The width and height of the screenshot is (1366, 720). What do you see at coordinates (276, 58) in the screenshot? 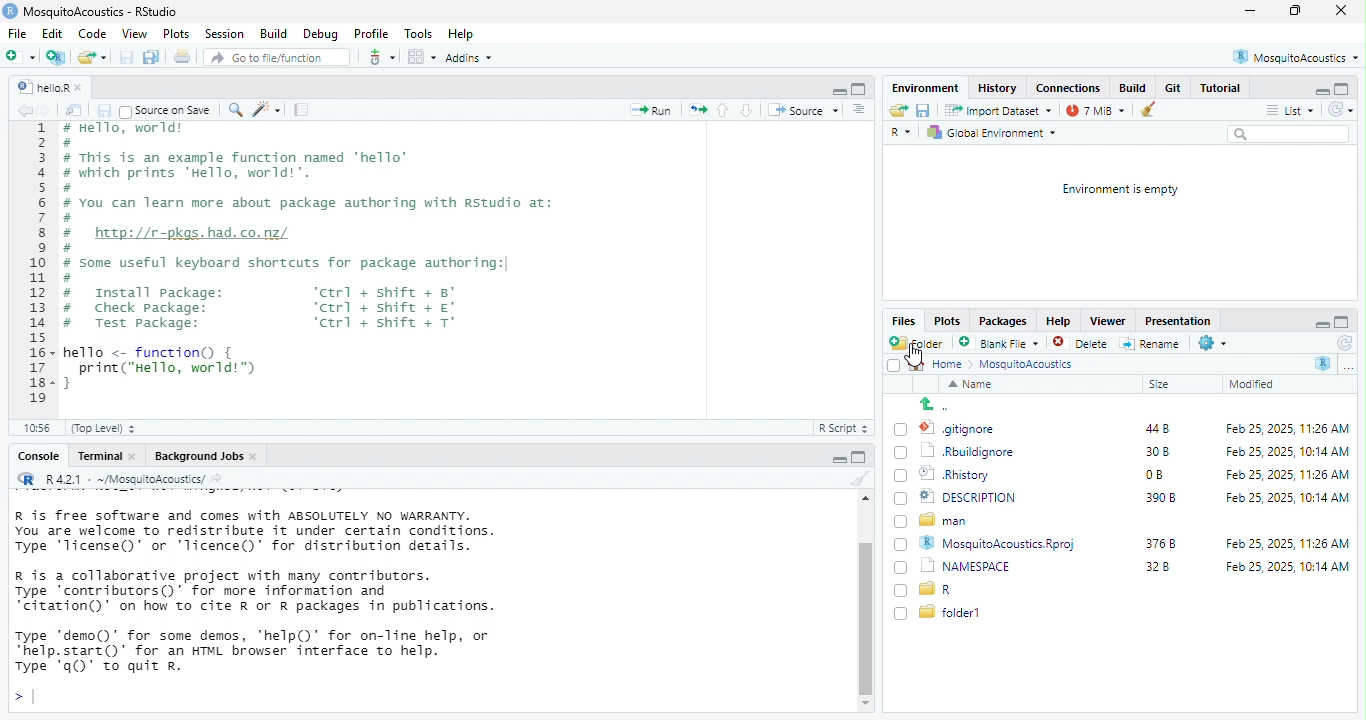
I see ` Go to file/function` at bounding box center [276, 58].